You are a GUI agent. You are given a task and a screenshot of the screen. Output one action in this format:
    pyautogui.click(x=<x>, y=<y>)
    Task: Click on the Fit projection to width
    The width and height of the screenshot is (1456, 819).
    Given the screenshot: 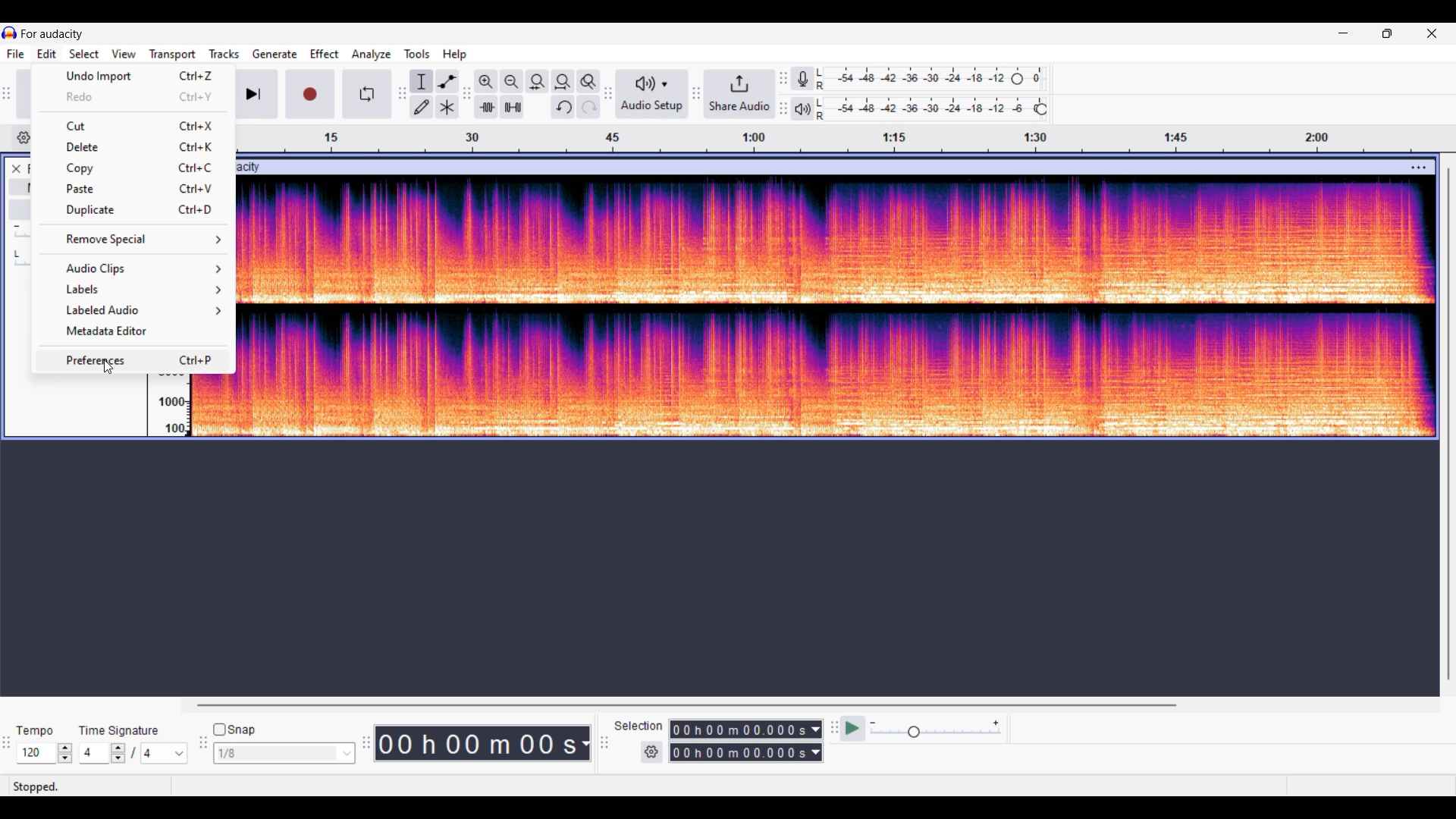 What is the action you would take?
    pyautogui.click(x=563, y=82)
    